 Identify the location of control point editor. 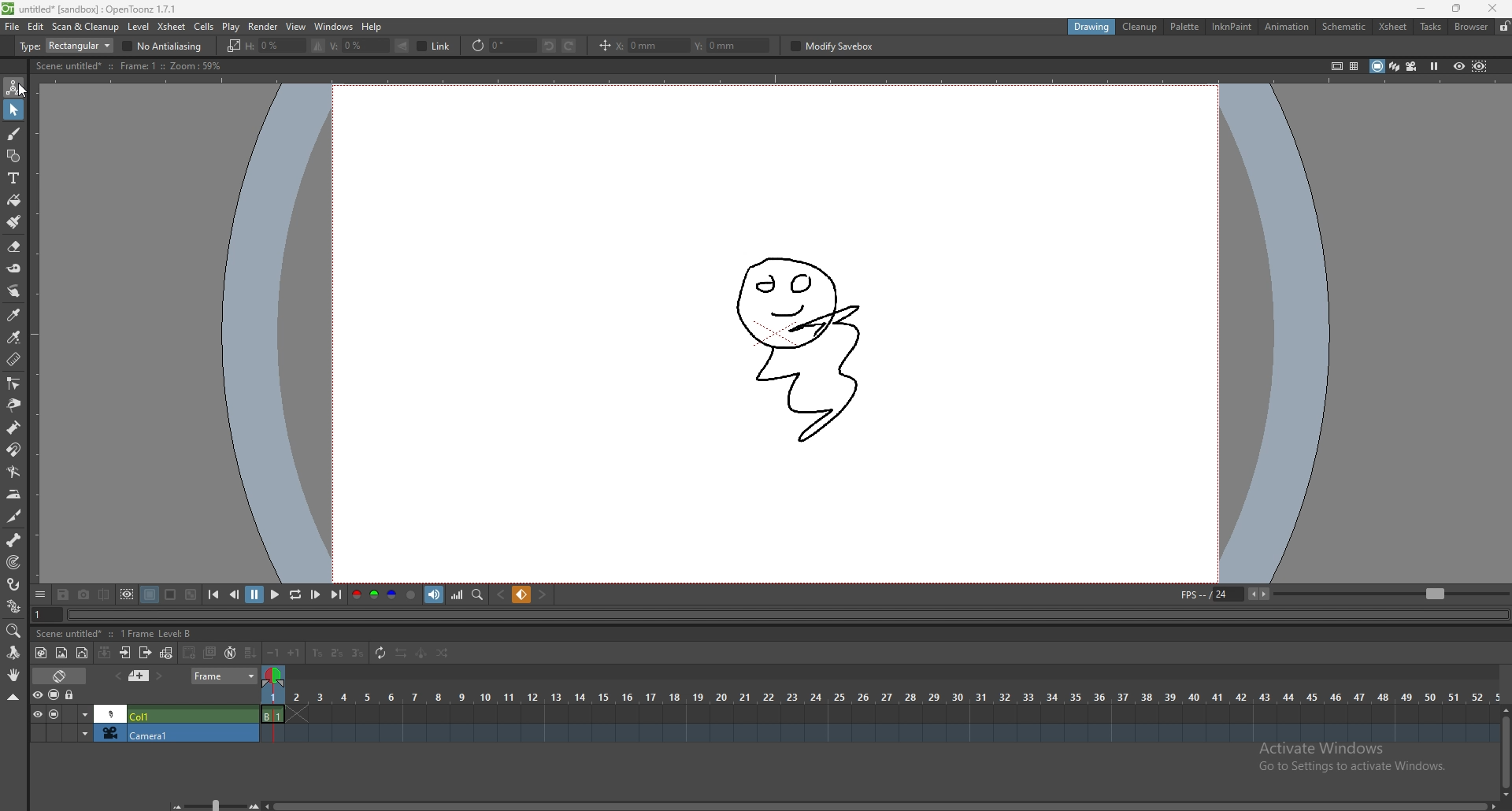
(13, 383).